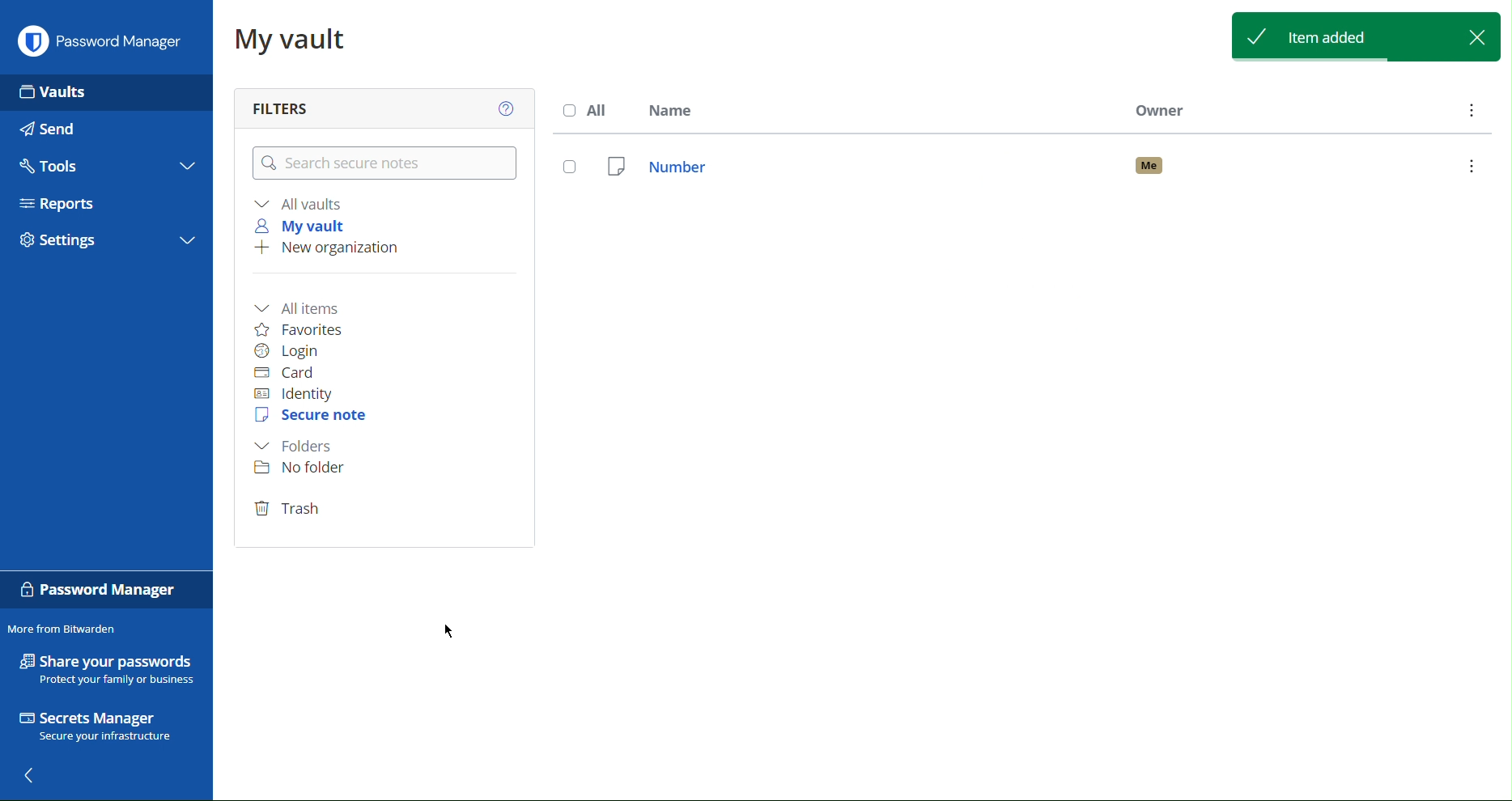  What do you see at coordinates (63, 204) in the screenshot?
I see `Reports` at bounding box center [63, 204].